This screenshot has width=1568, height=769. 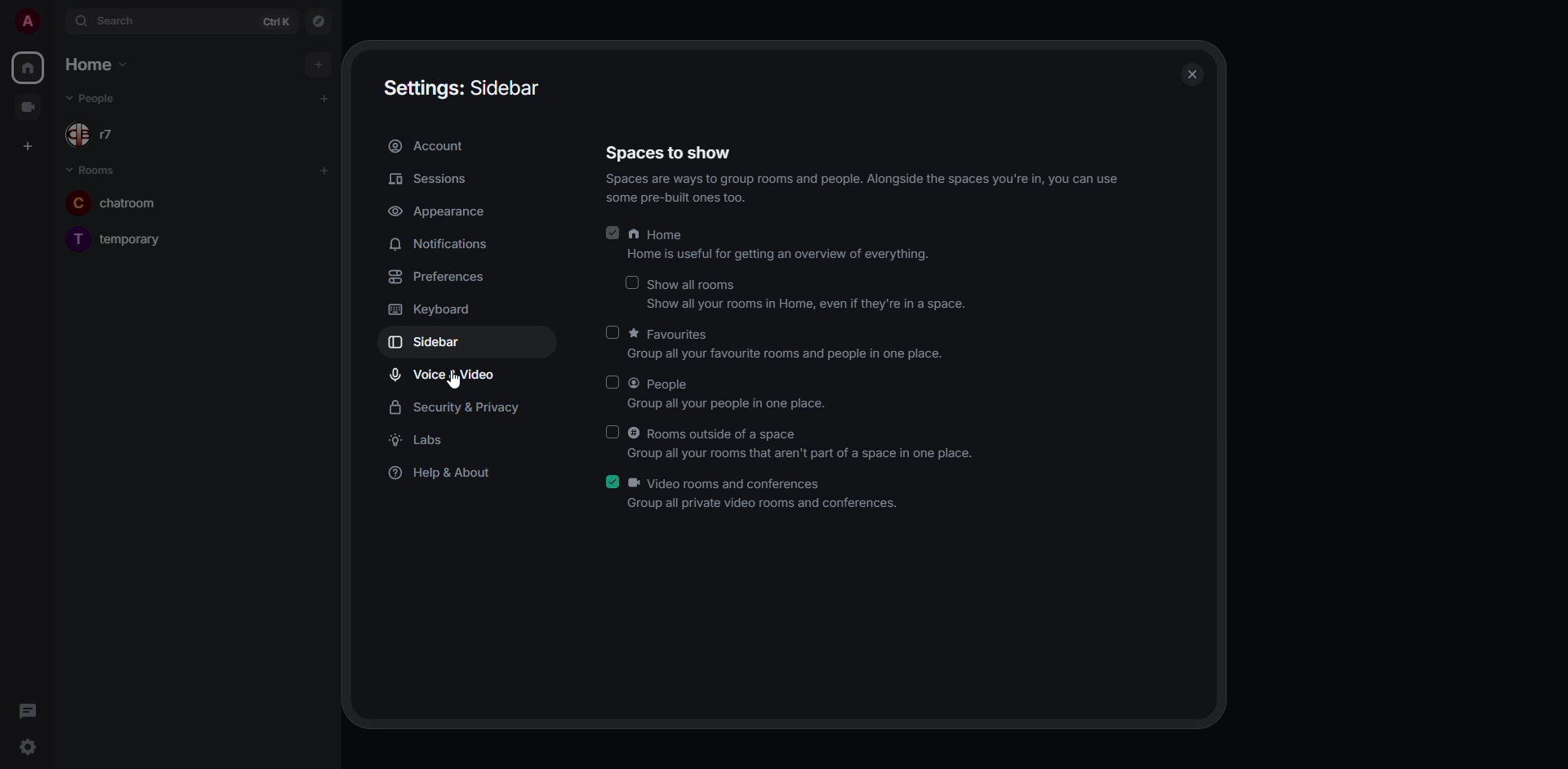 I want to click on people, so click(x=103, y=98).